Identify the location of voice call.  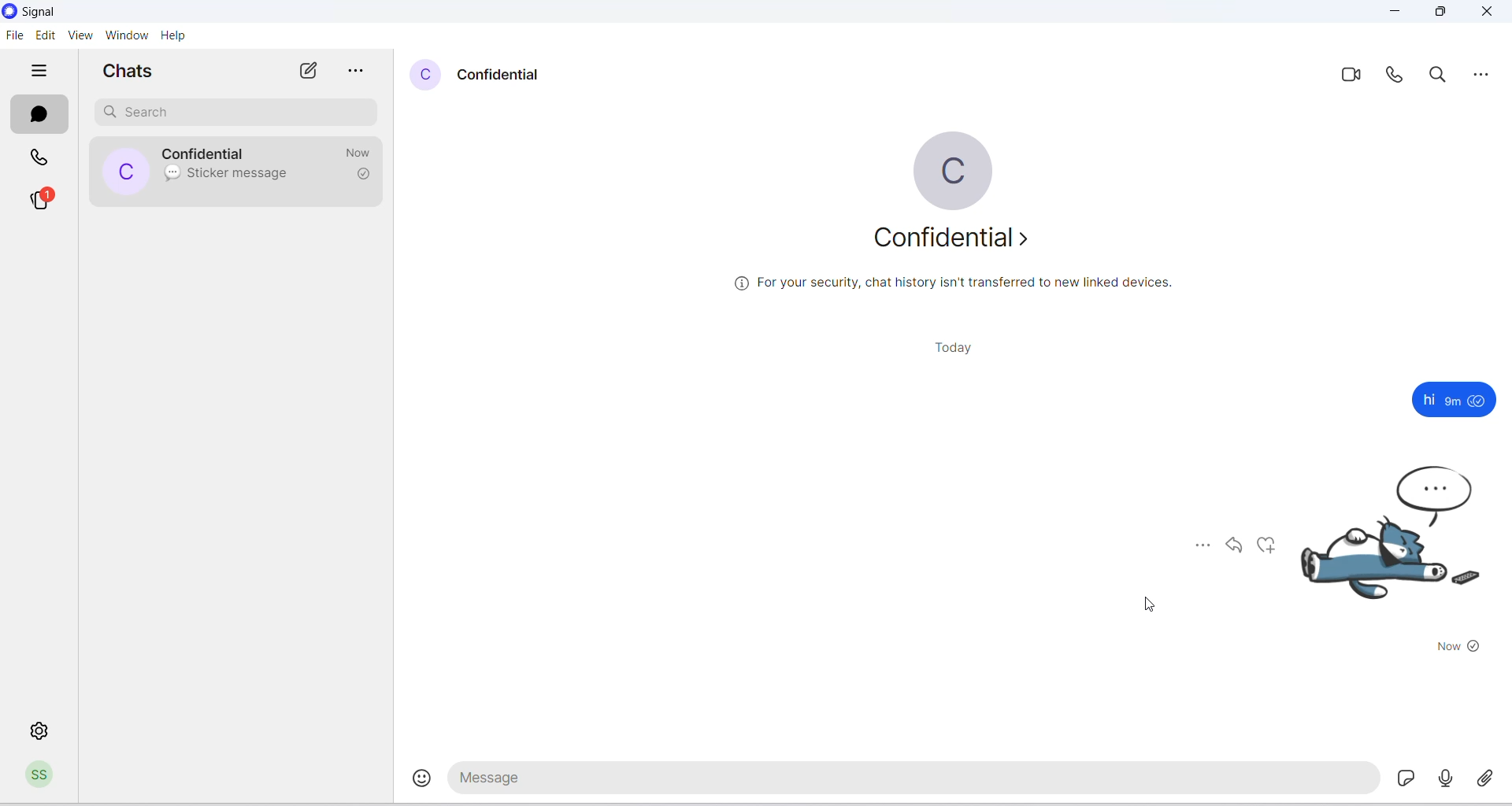
(1395, 77).